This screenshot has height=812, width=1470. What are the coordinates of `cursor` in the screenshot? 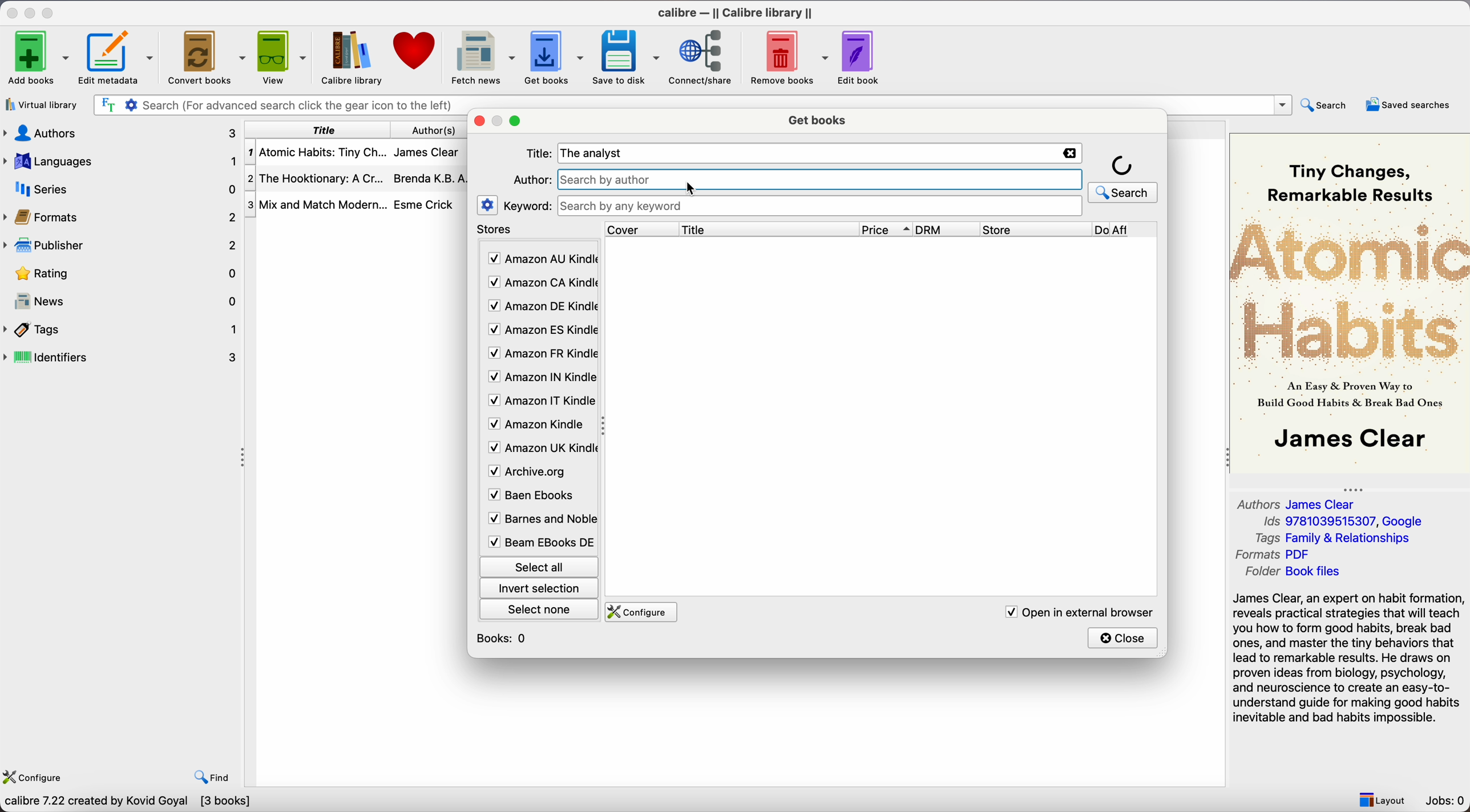 It's located at (692, 188).